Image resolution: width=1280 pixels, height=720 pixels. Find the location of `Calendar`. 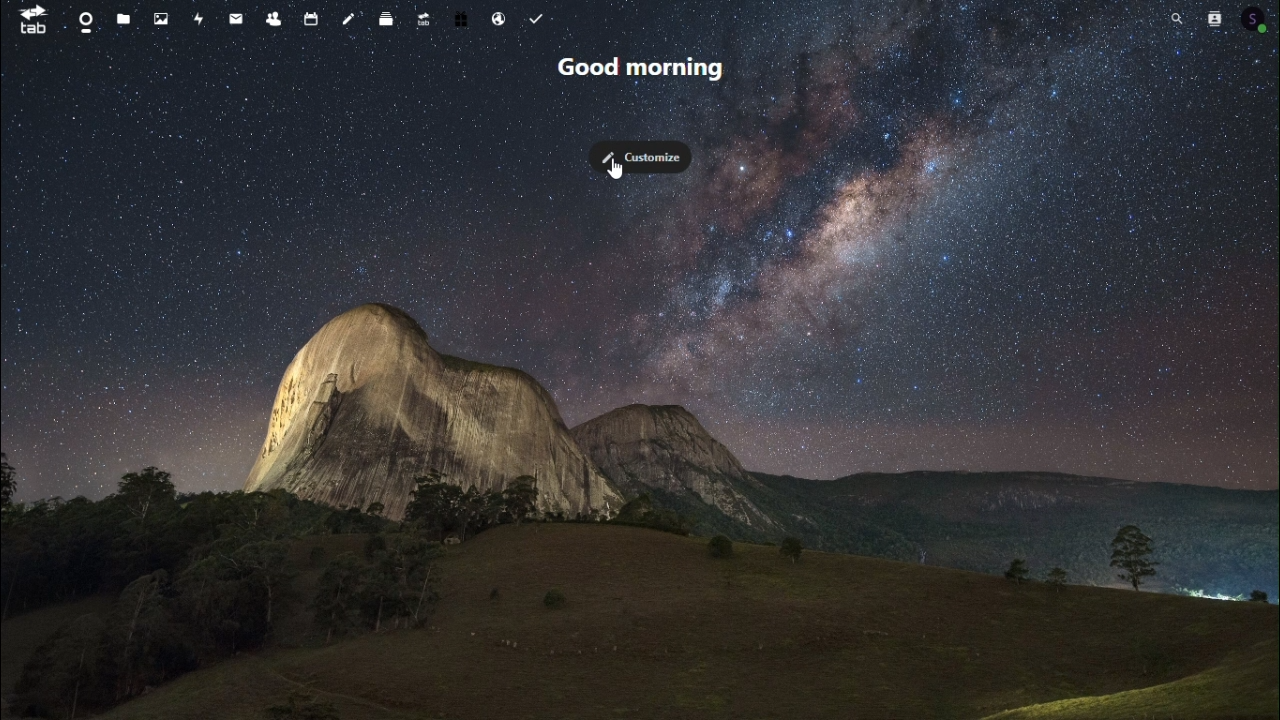

Calendar is located at coordinates (313, 16).